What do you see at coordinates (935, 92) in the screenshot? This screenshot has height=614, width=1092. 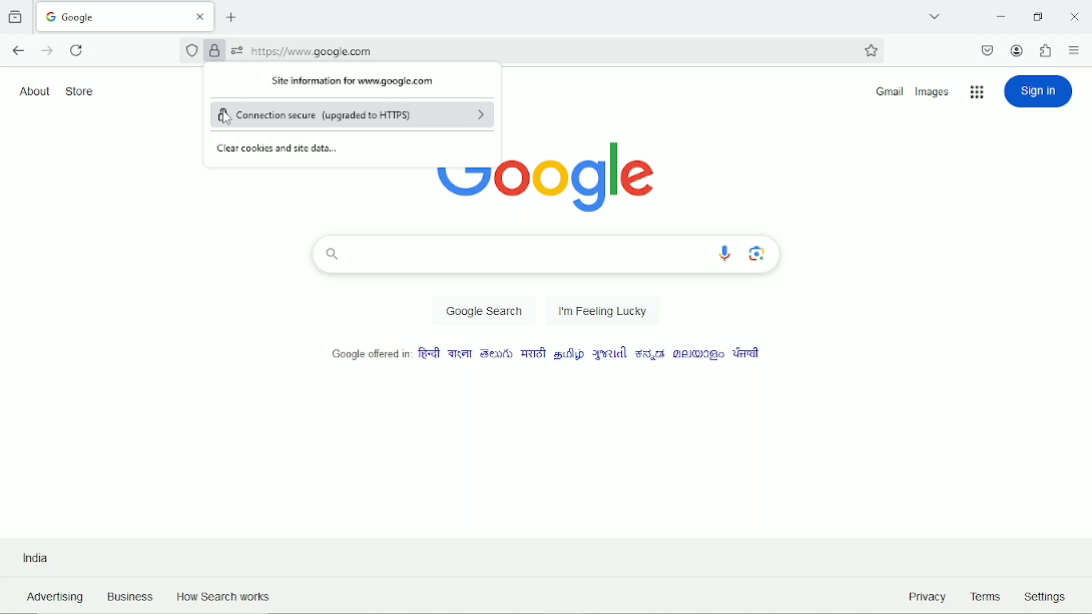 I see `Images` at bounding box center [935, 92].